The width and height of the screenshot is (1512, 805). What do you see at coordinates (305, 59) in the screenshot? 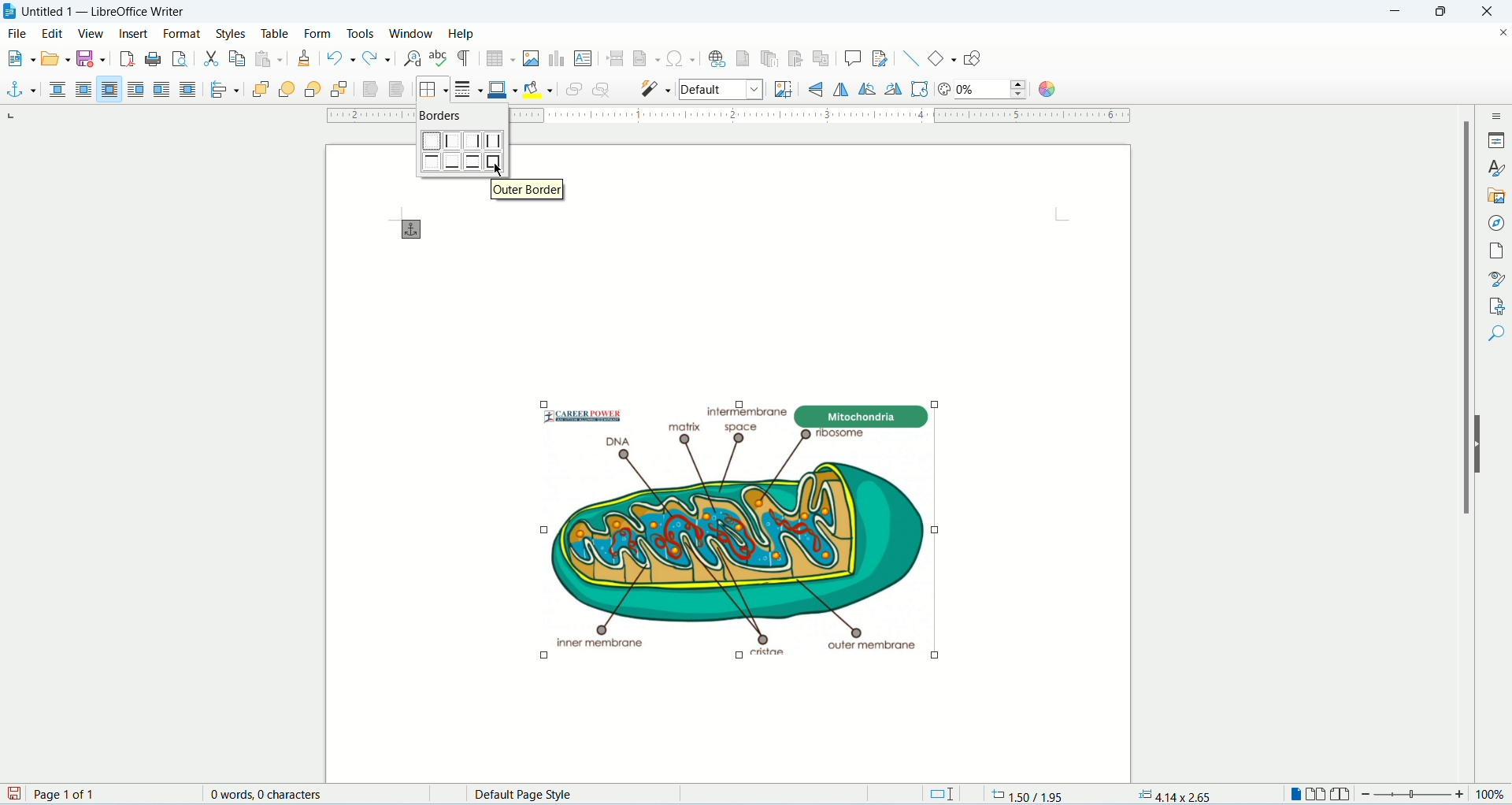
I see `clone formatting` at bounding box center [305, 59].